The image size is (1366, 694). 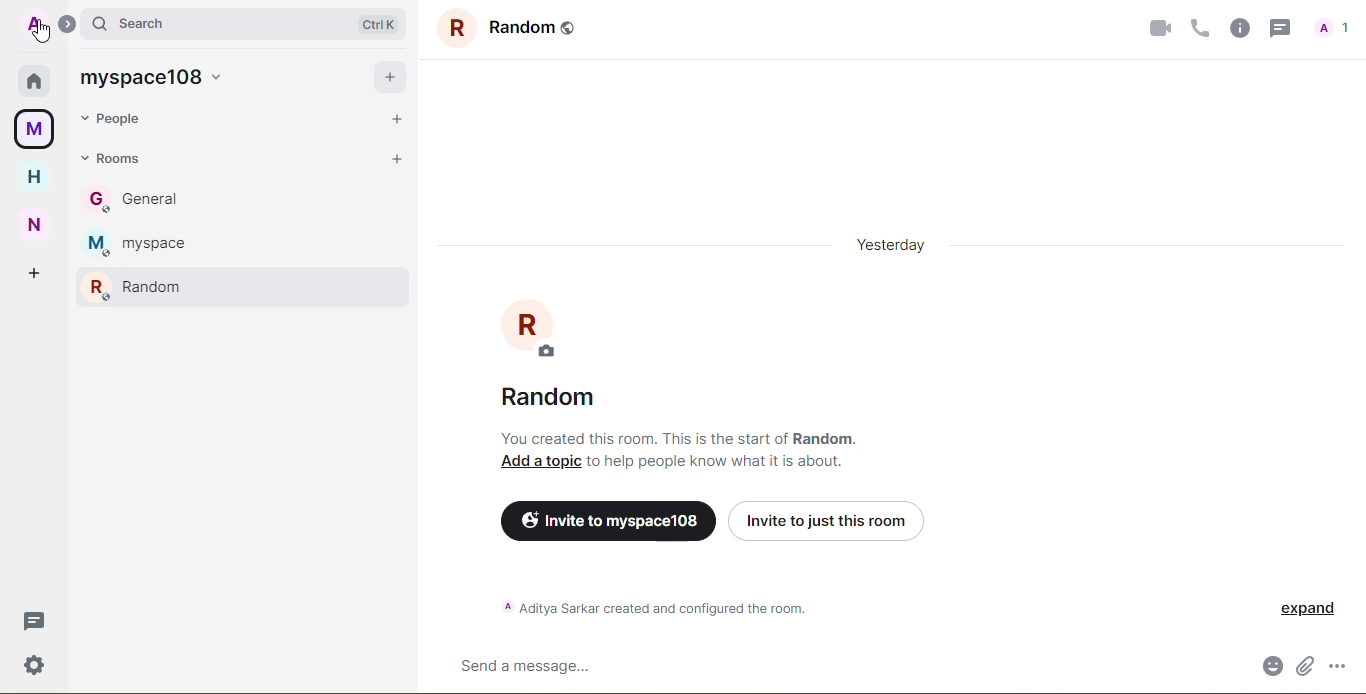 I want to click on more, so click(x=1337, y=666).